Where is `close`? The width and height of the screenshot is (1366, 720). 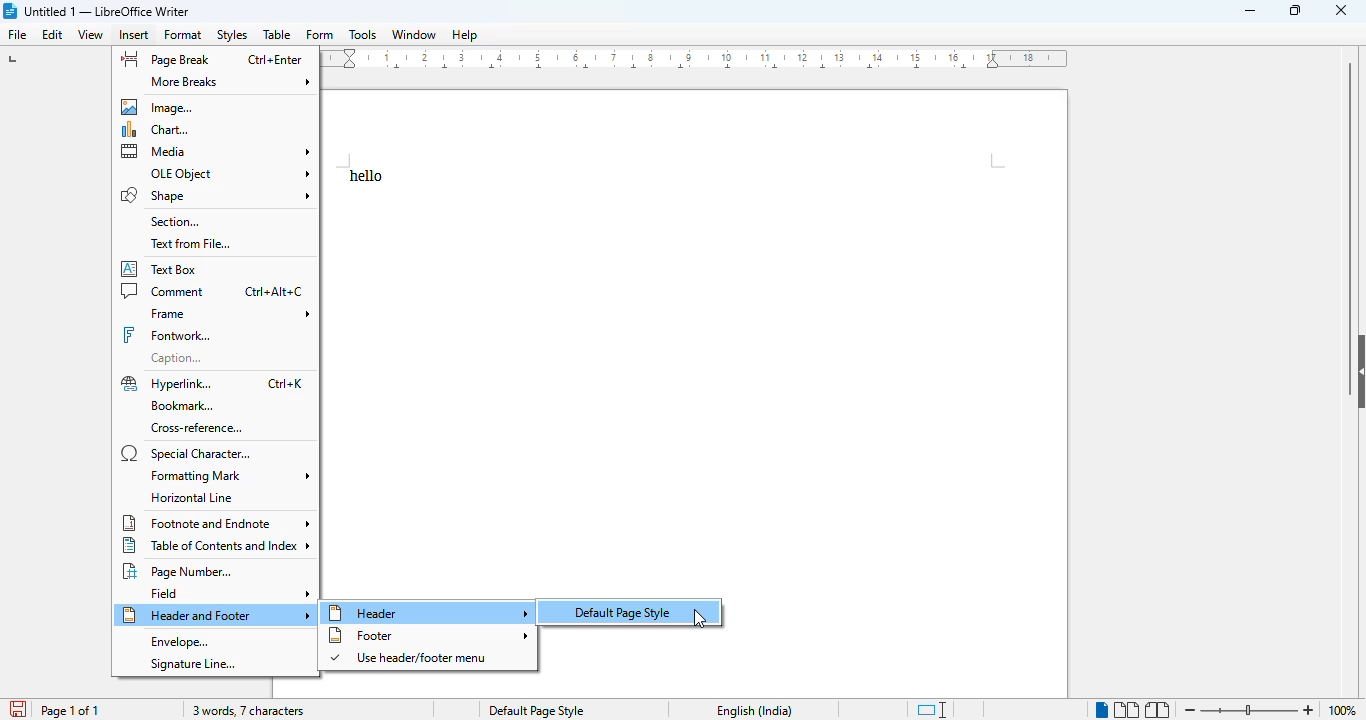
close is located at coordinates (1340, 11).